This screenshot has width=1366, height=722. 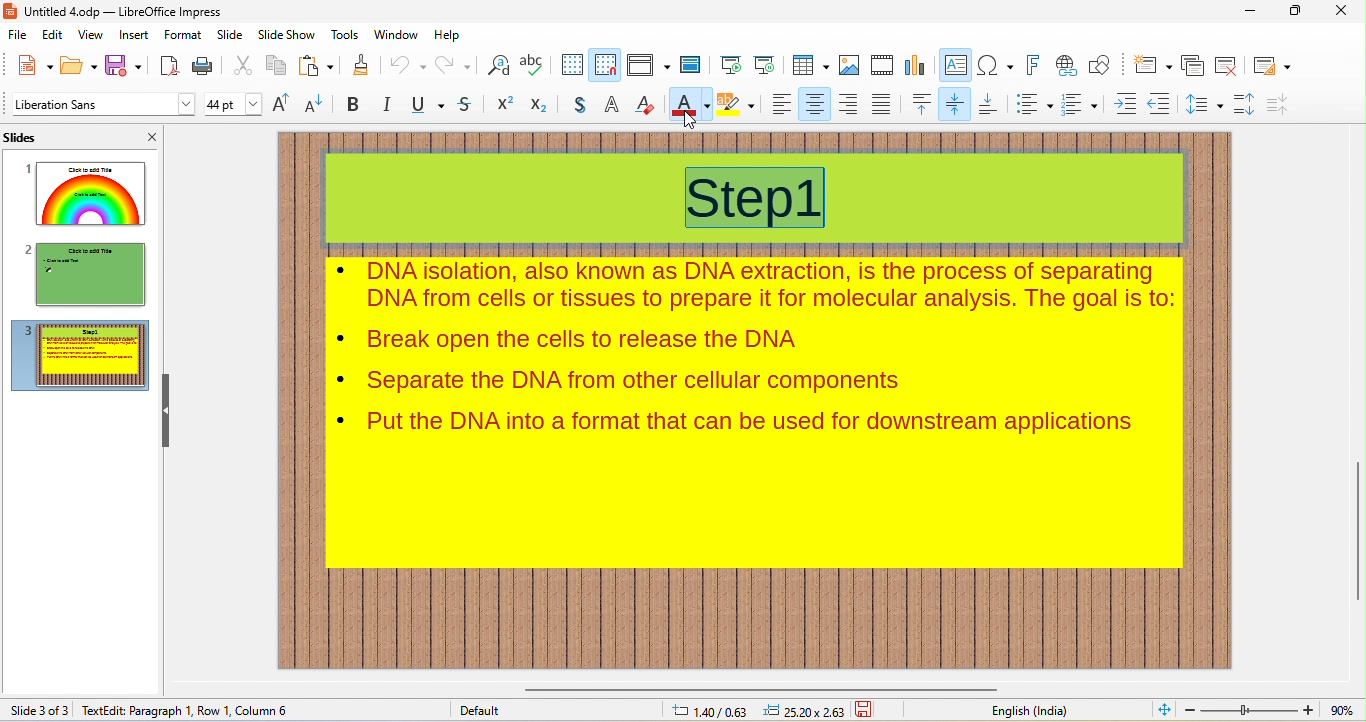 What do you see at coordinates (353, 104) in the screenshot?
I see `bold` at bounding box center [353, 104].